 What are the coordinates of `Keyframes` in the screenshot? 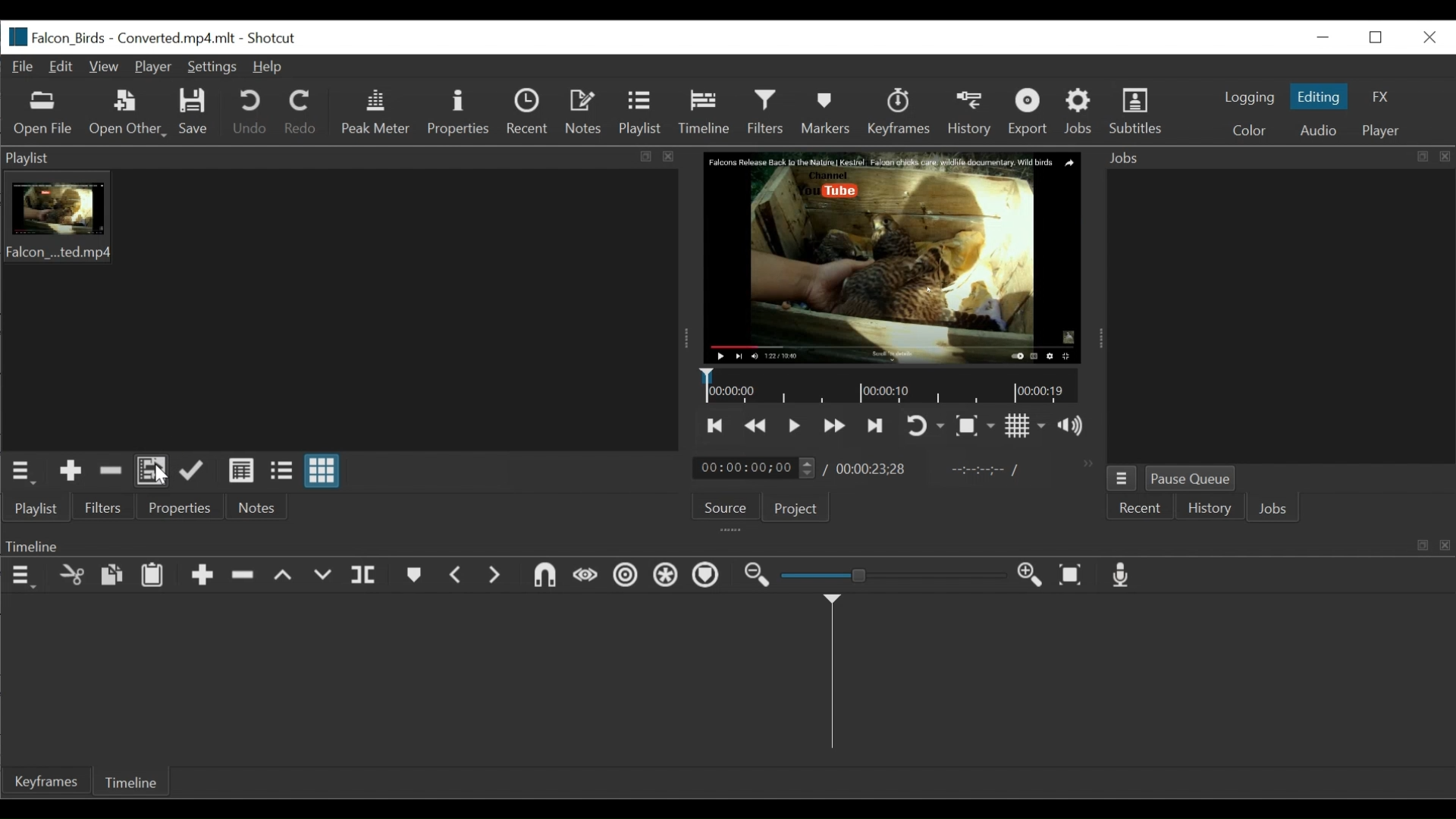 It's located at (899, 113).